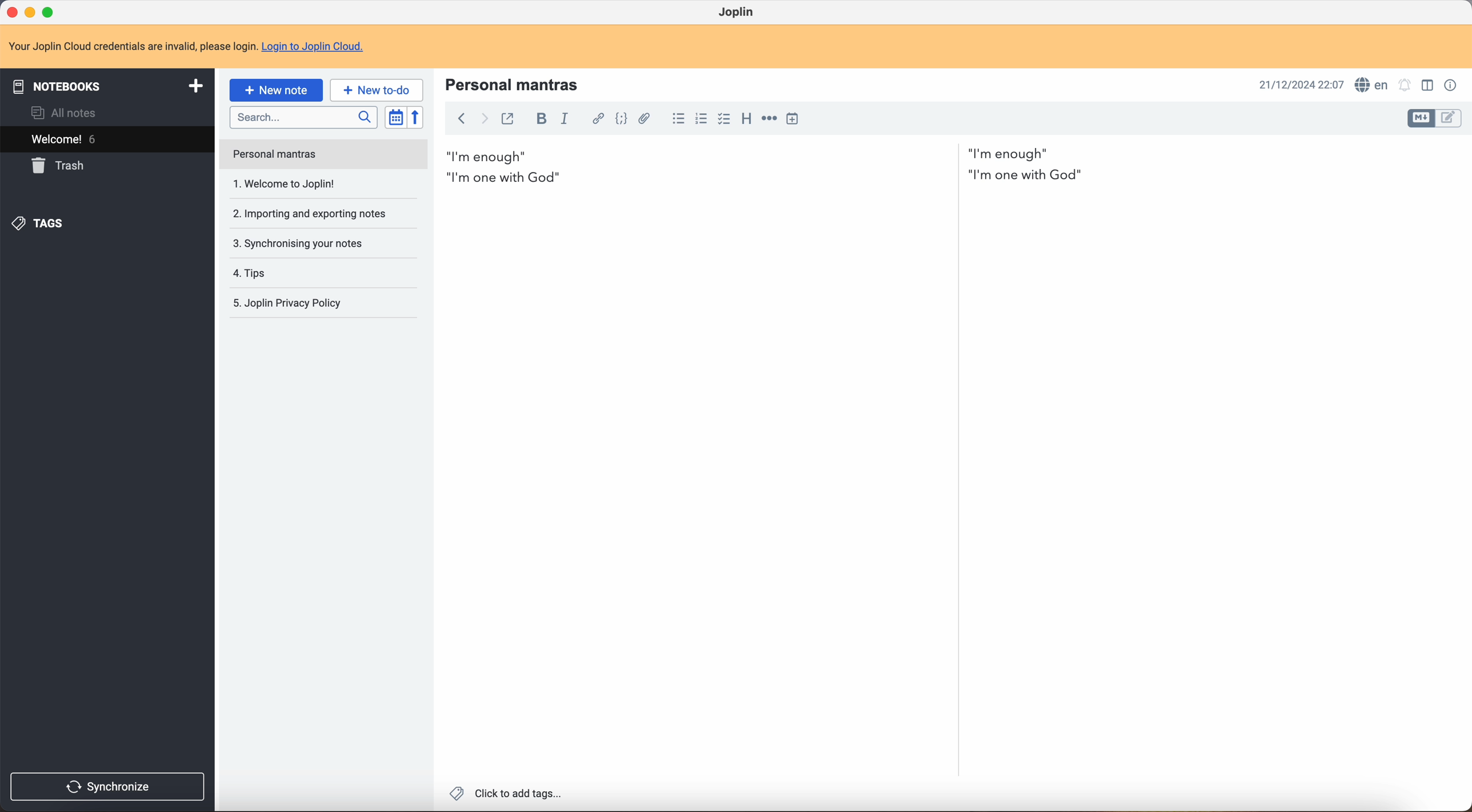  Describe the element at coordinates (649, 119) in the screenshot. I see `attach file` at that location.